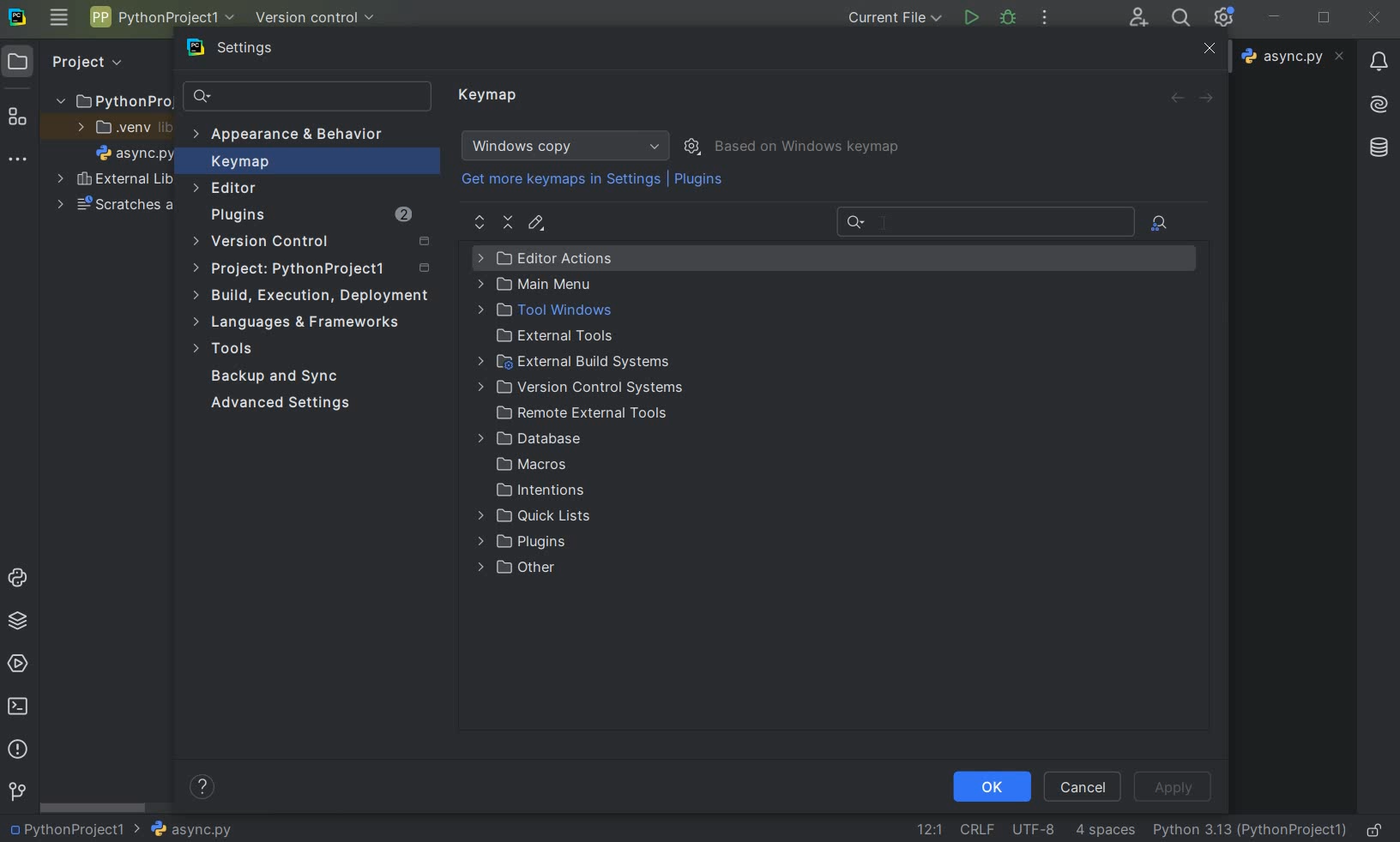 Image resolution: width=1400 pixels, height=842 pixels. What do you see at coordinates (1207, 50) in the screenshot?
I see `close` at bounding box center [1207, 50].